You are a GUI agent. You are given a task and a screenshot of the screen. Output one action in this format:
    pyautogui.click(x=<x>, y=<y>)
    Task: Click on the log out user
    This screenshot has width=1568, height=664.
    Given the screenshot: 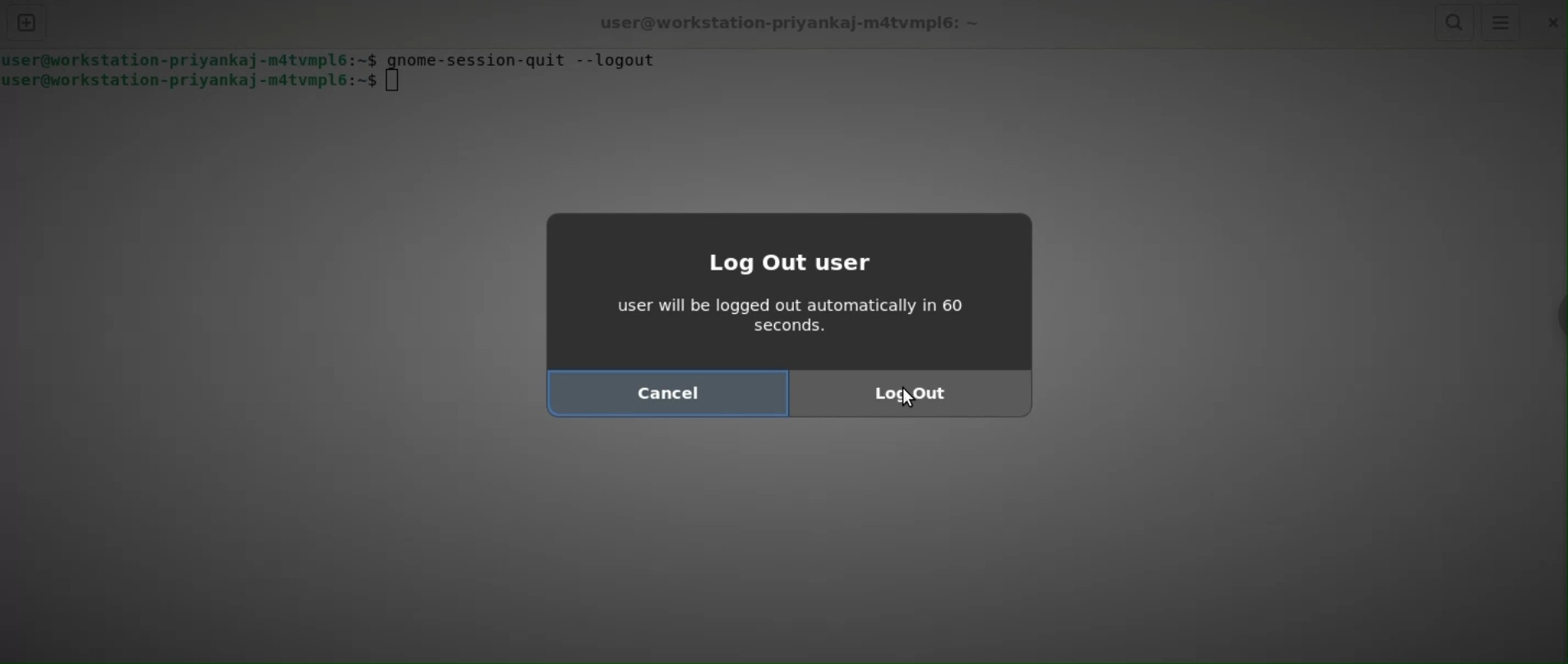 What is the action you would take?
    pyautogui.click(x=810, y=265)
    